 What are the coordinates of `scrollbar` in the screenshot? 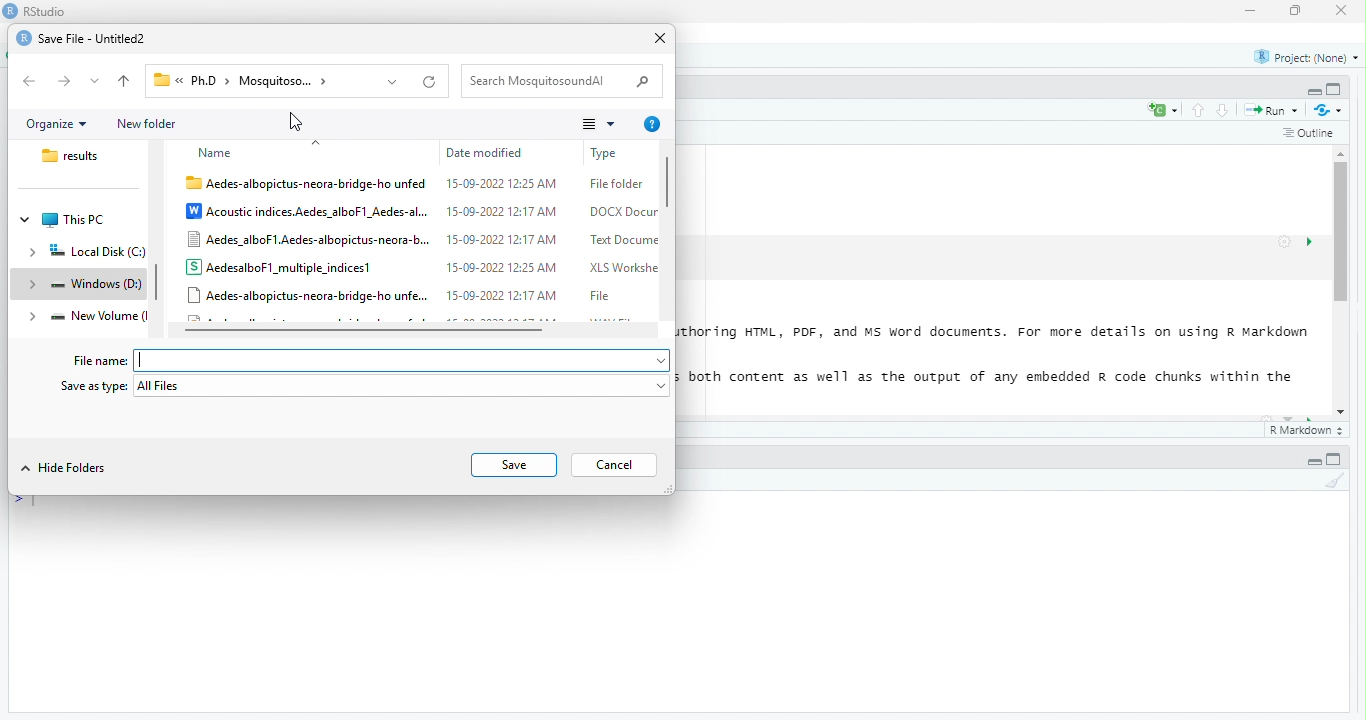 It's located at (414, 330).